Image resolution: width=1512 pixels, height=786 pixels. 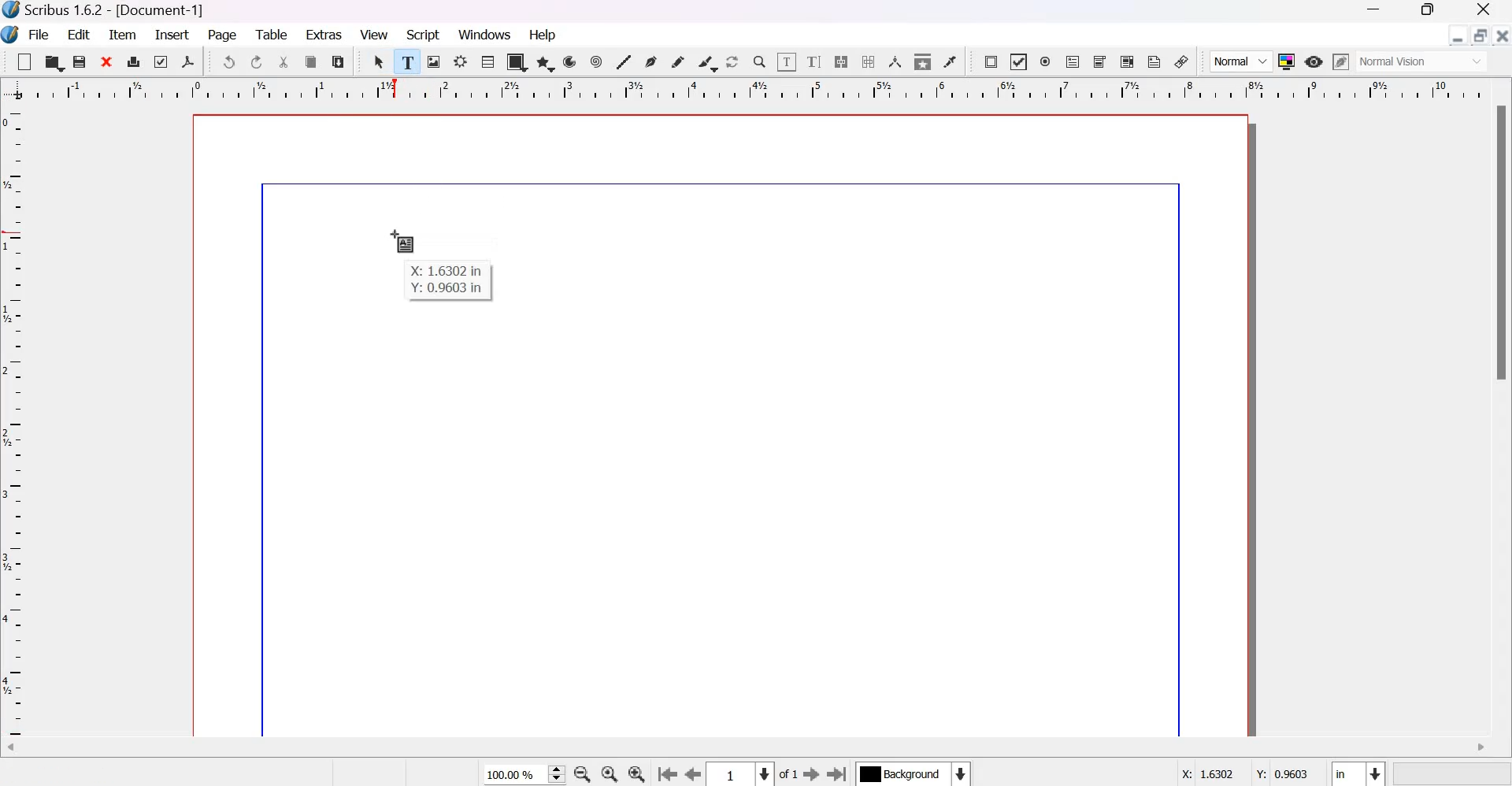 I want to click on page, so click(x=224, y=36).